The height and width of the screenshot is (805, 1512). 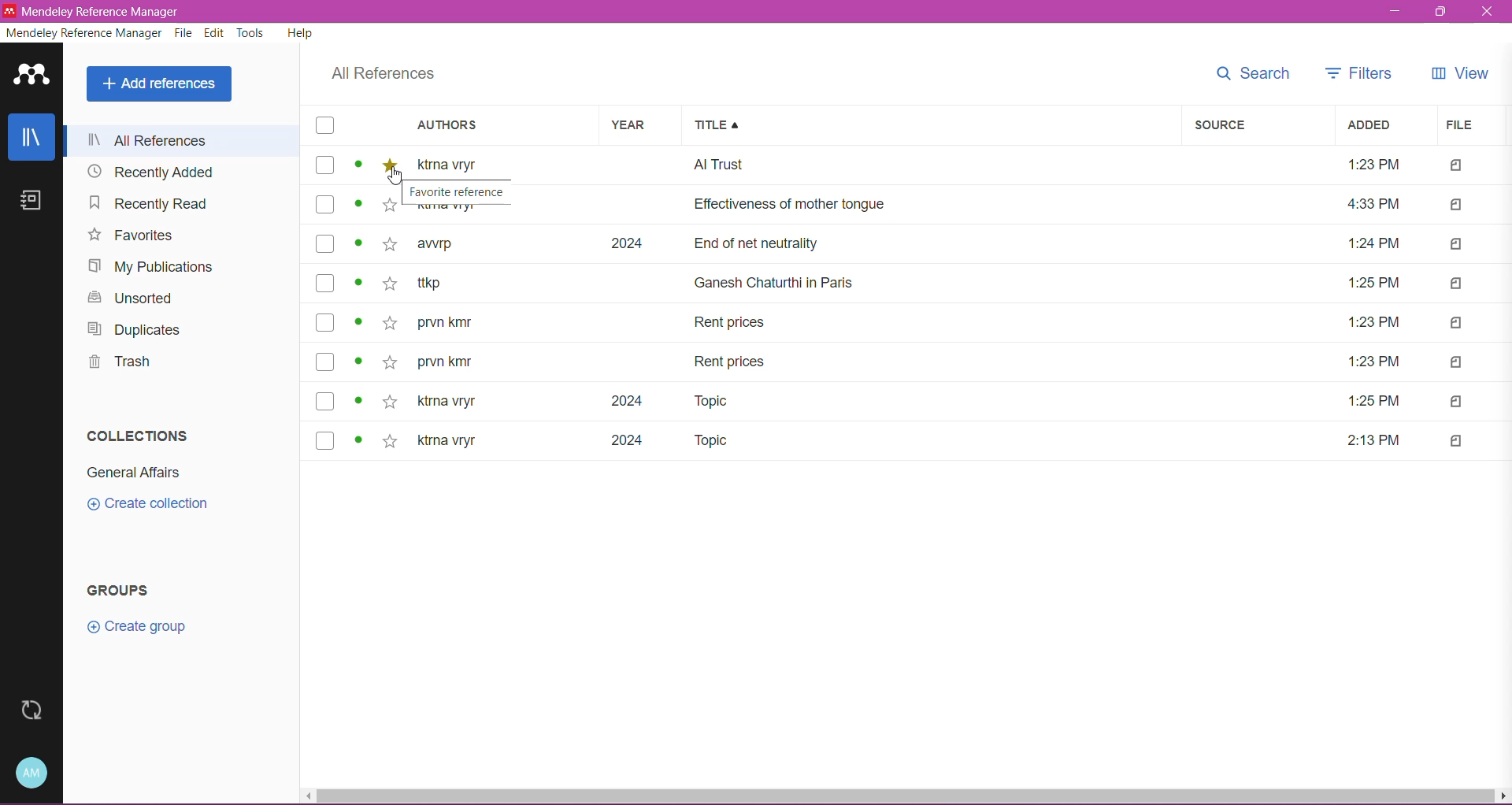 I want to click on File, so click(x=184, y=34).